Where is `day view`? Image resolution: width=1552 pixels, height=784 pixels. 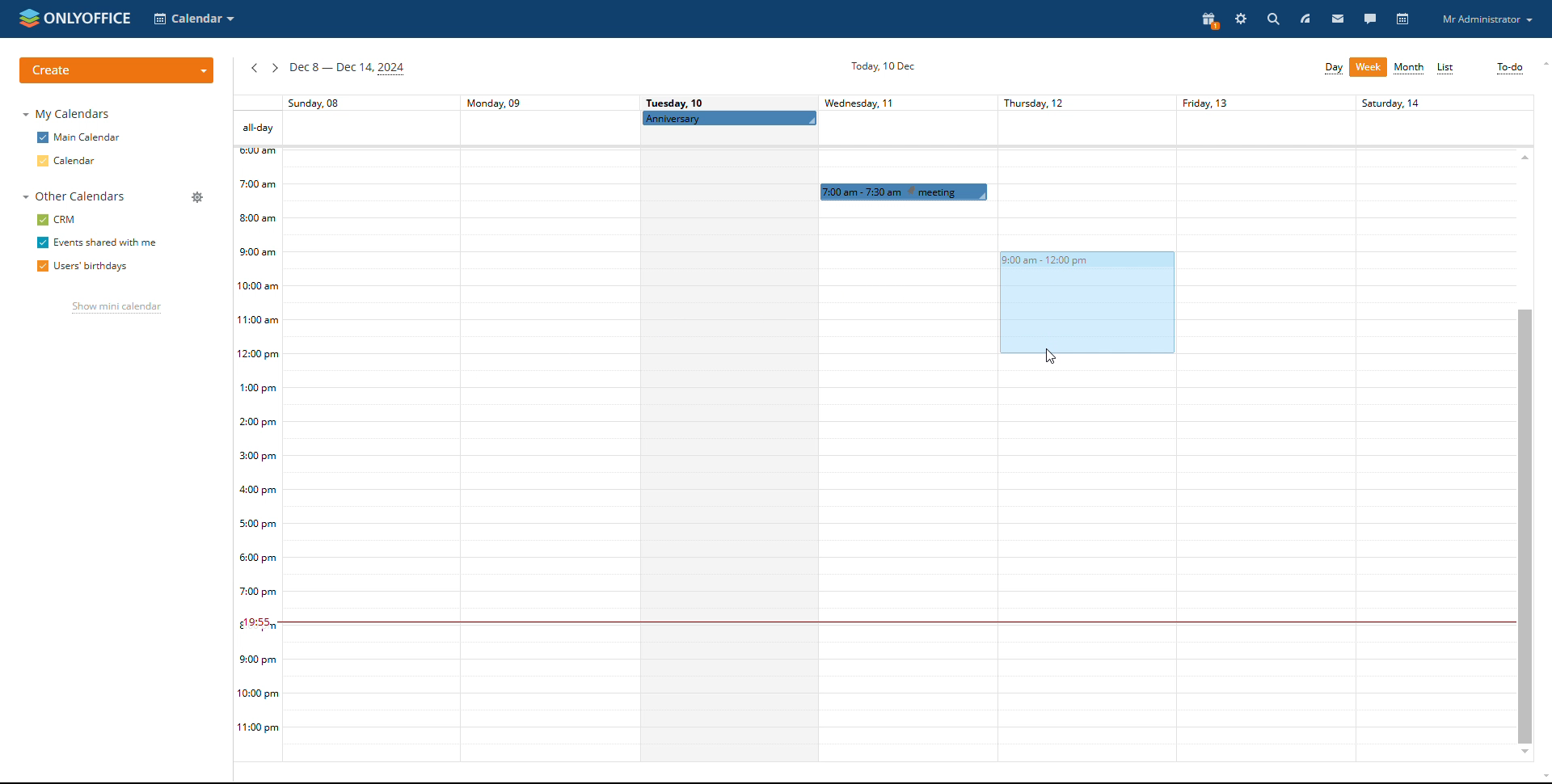 day view is located at coordinates (1333, 68).